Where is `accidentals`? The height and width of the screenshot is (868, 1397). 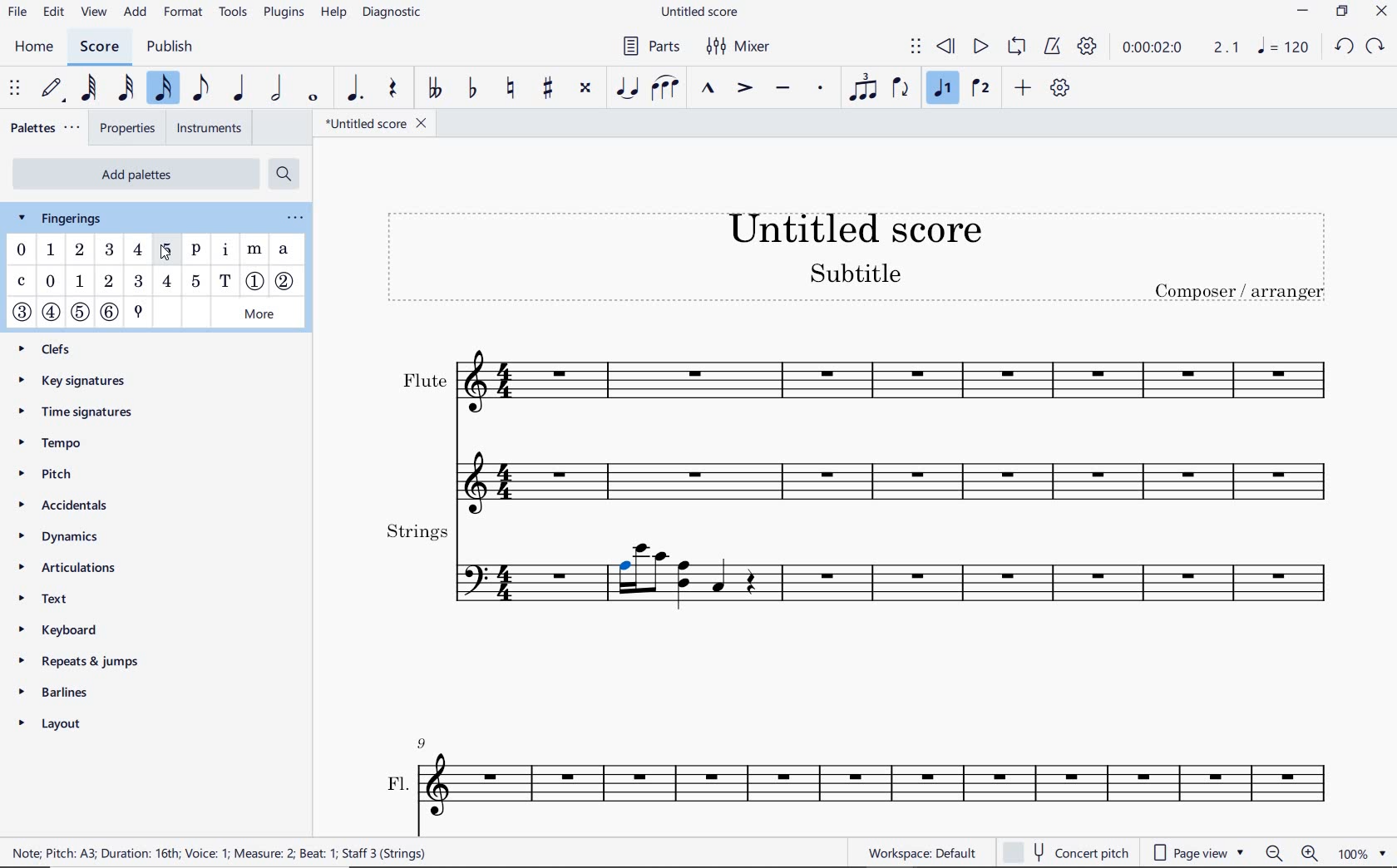 accidentals is located at coordinates (69, 505).